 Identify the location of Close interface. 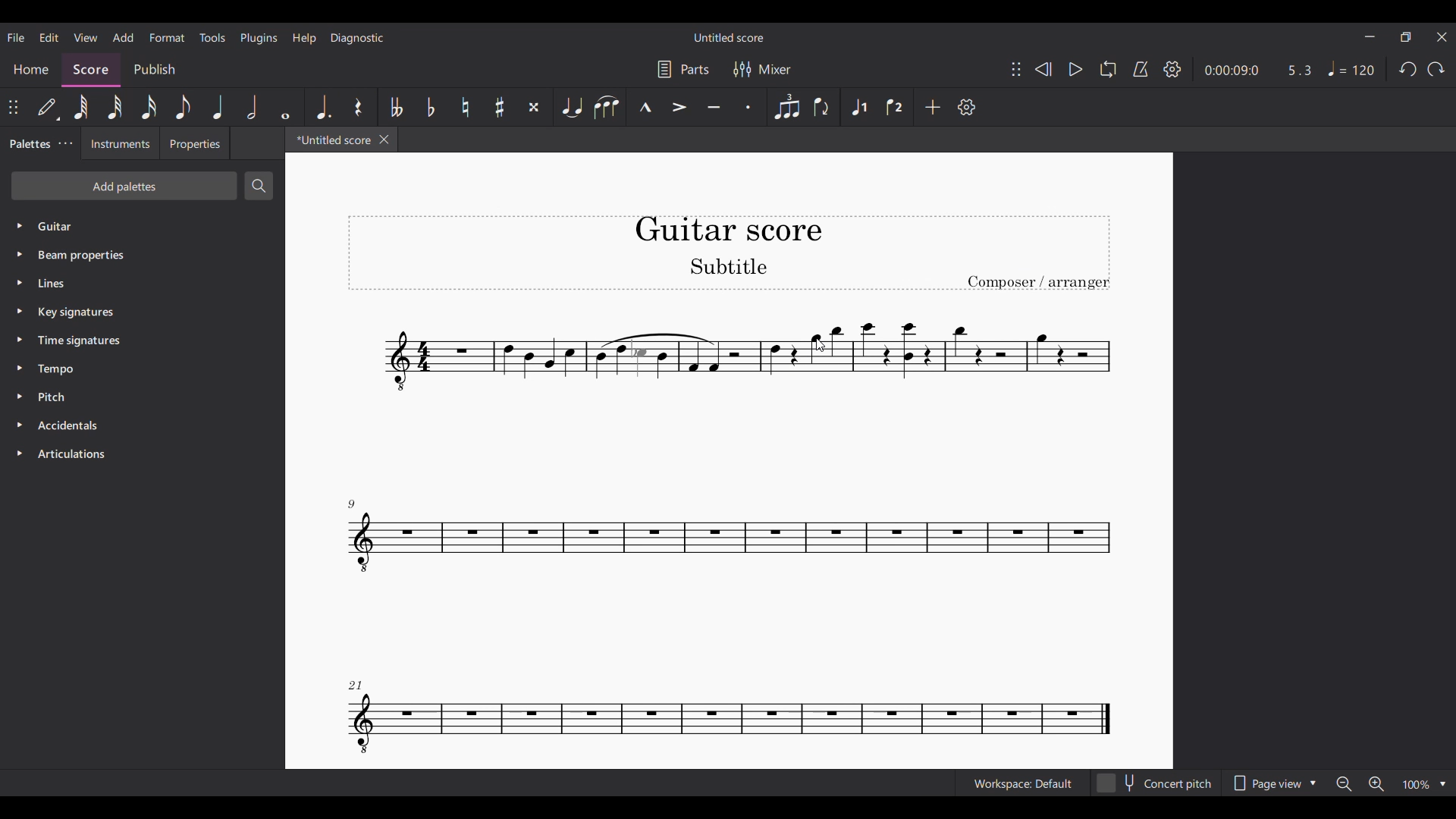
(1442, 37).